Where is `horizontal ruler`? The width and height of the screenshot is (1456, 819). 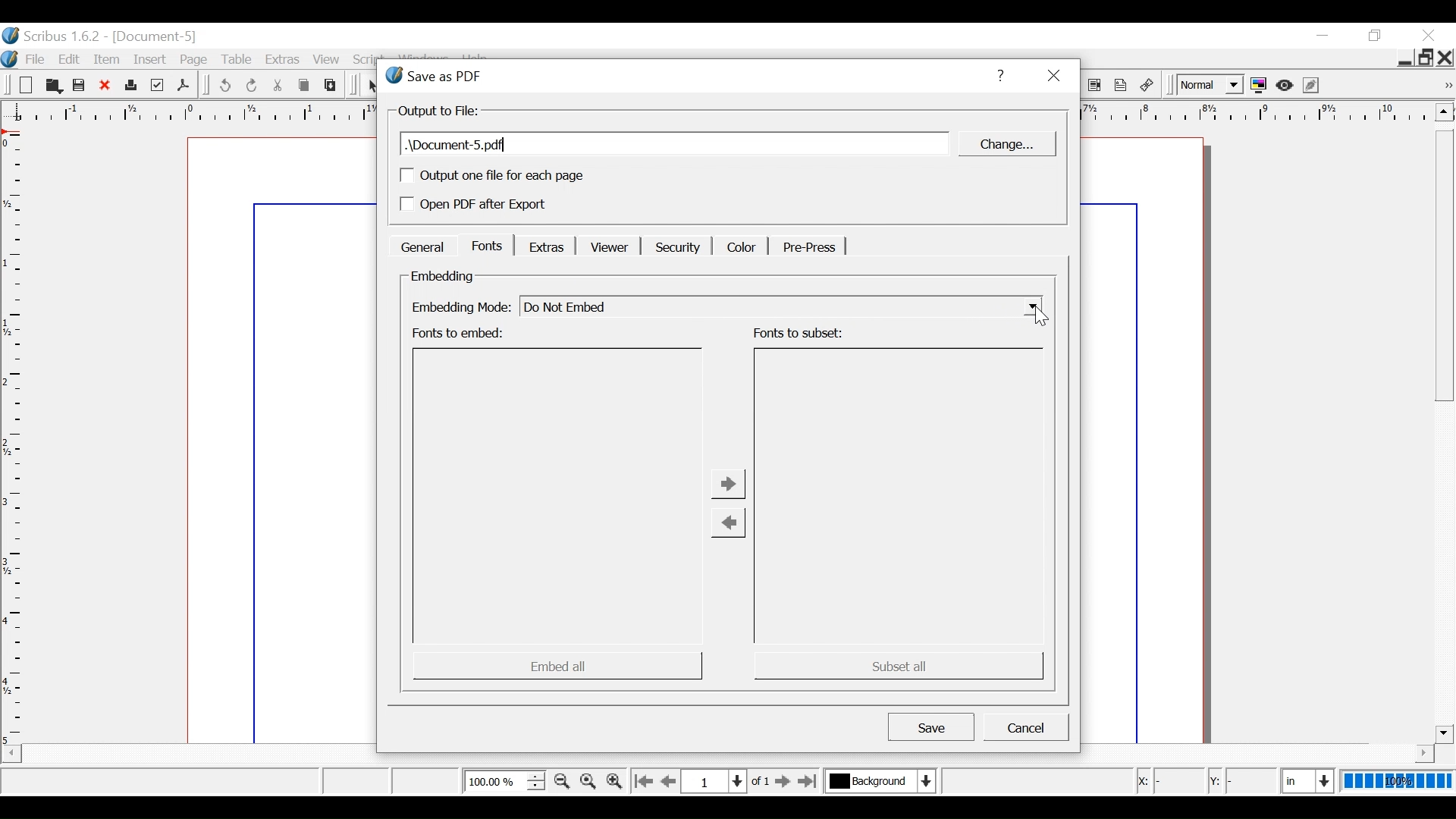 horizontal ruler is located at coordinates (1257, 114).